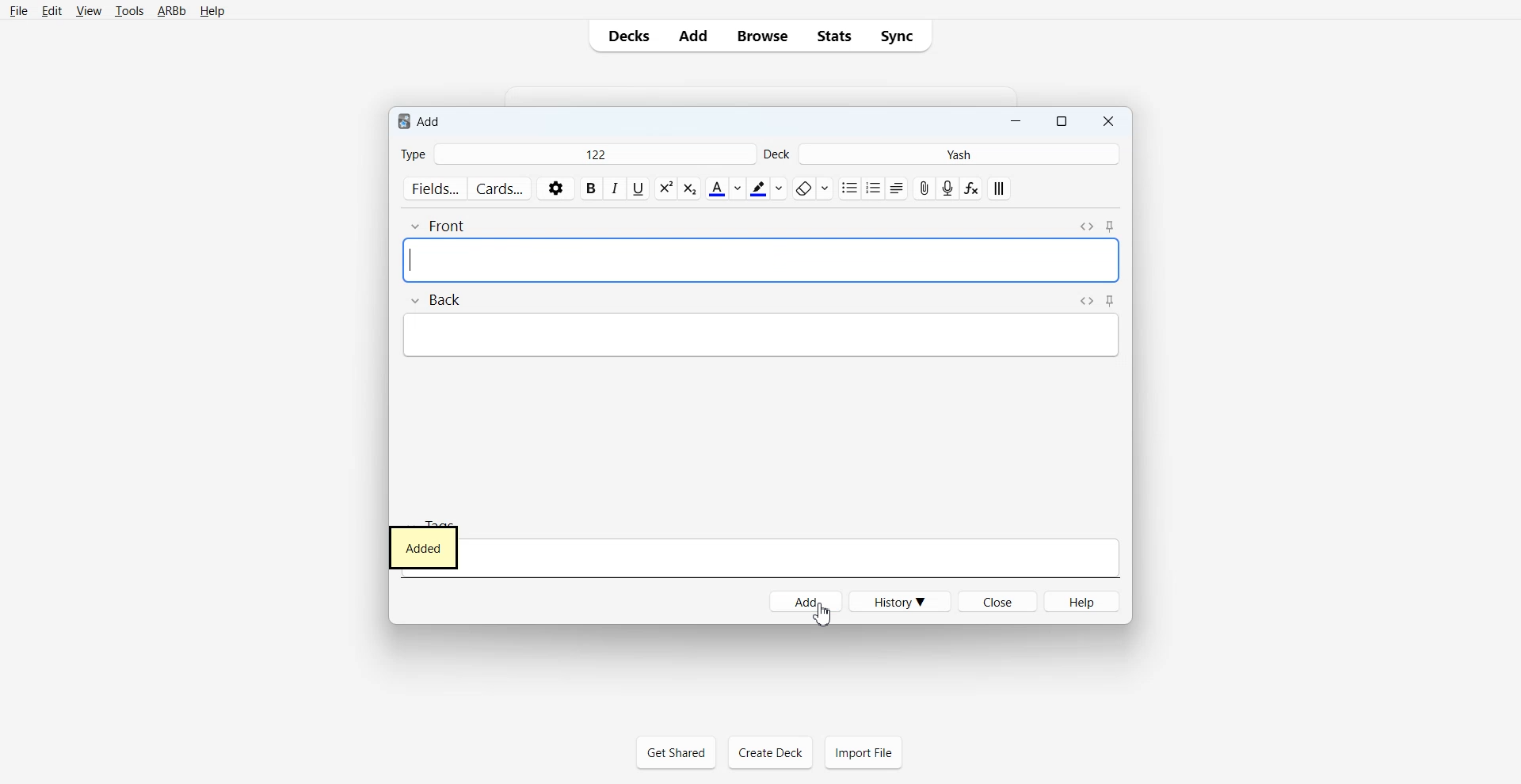 This screenshot has height=784, width=1521. I want to click on Text, so click(423, 547).